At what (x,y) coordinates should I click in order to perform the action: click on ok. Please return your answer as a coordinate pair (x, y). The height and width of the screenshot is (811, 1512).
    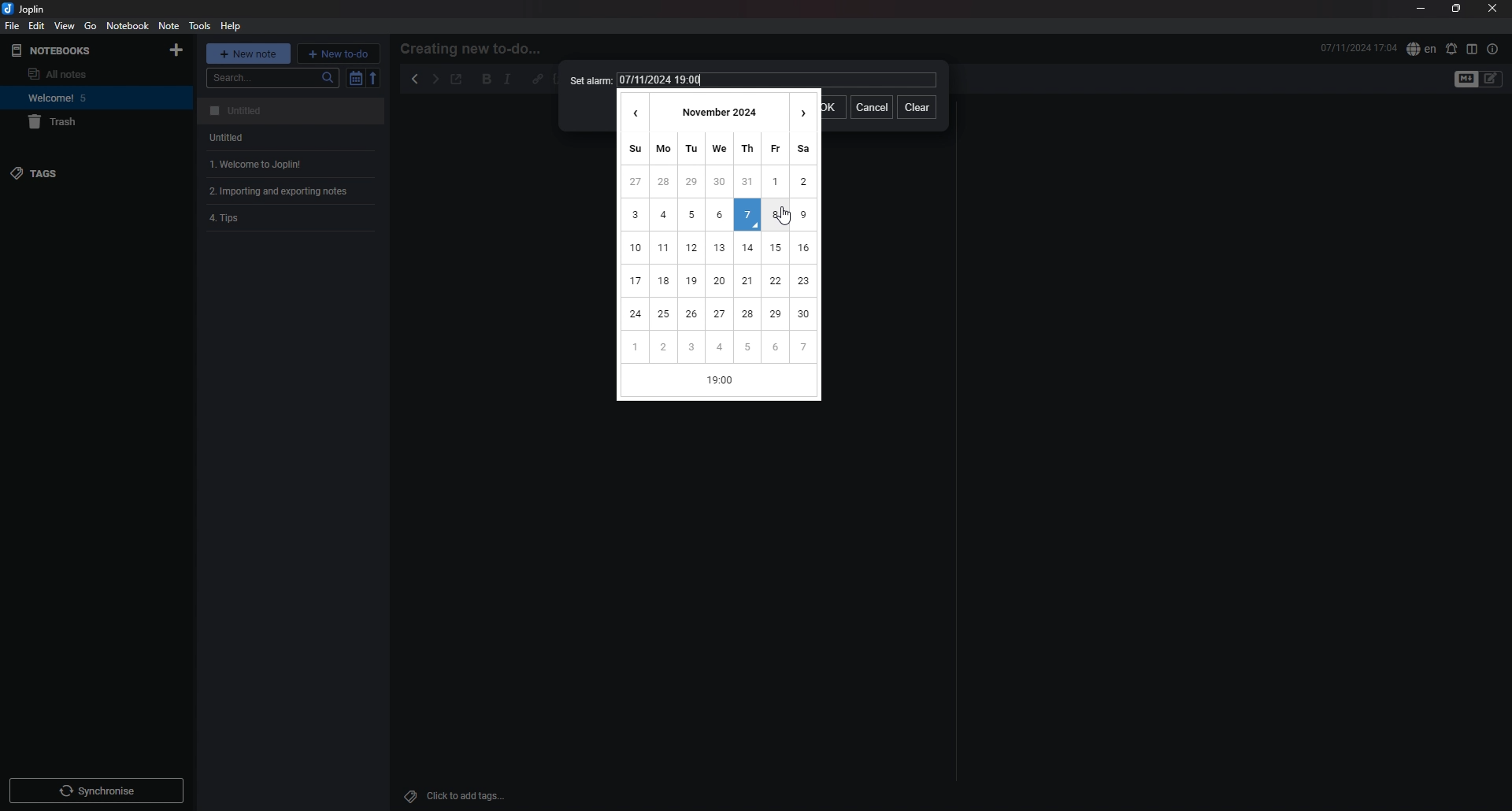
    Looking at the image, I should click on (834, 106).